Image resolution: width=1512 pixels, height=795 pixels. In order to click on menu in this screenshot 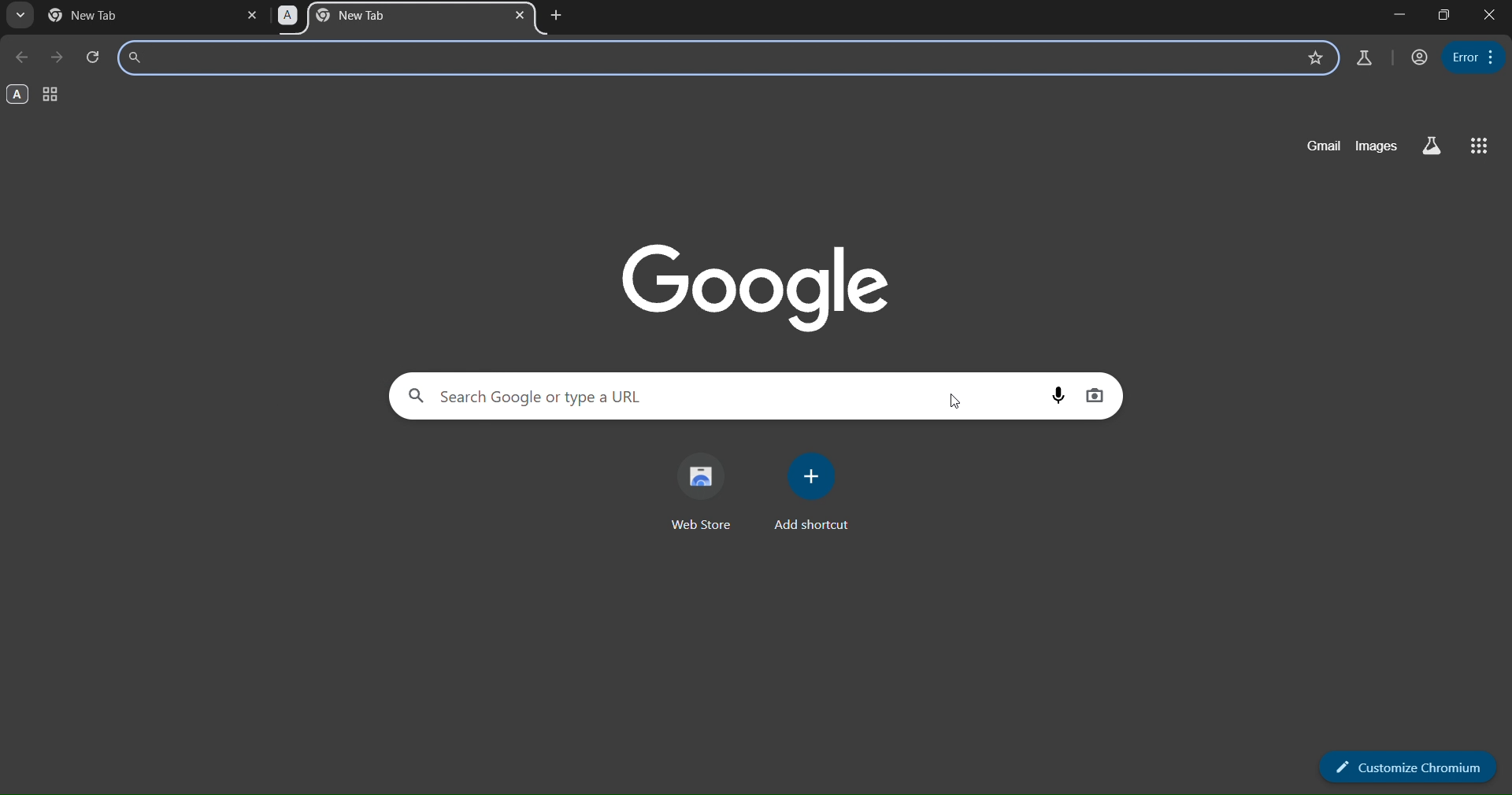, I will do `click(1471, 57)`.